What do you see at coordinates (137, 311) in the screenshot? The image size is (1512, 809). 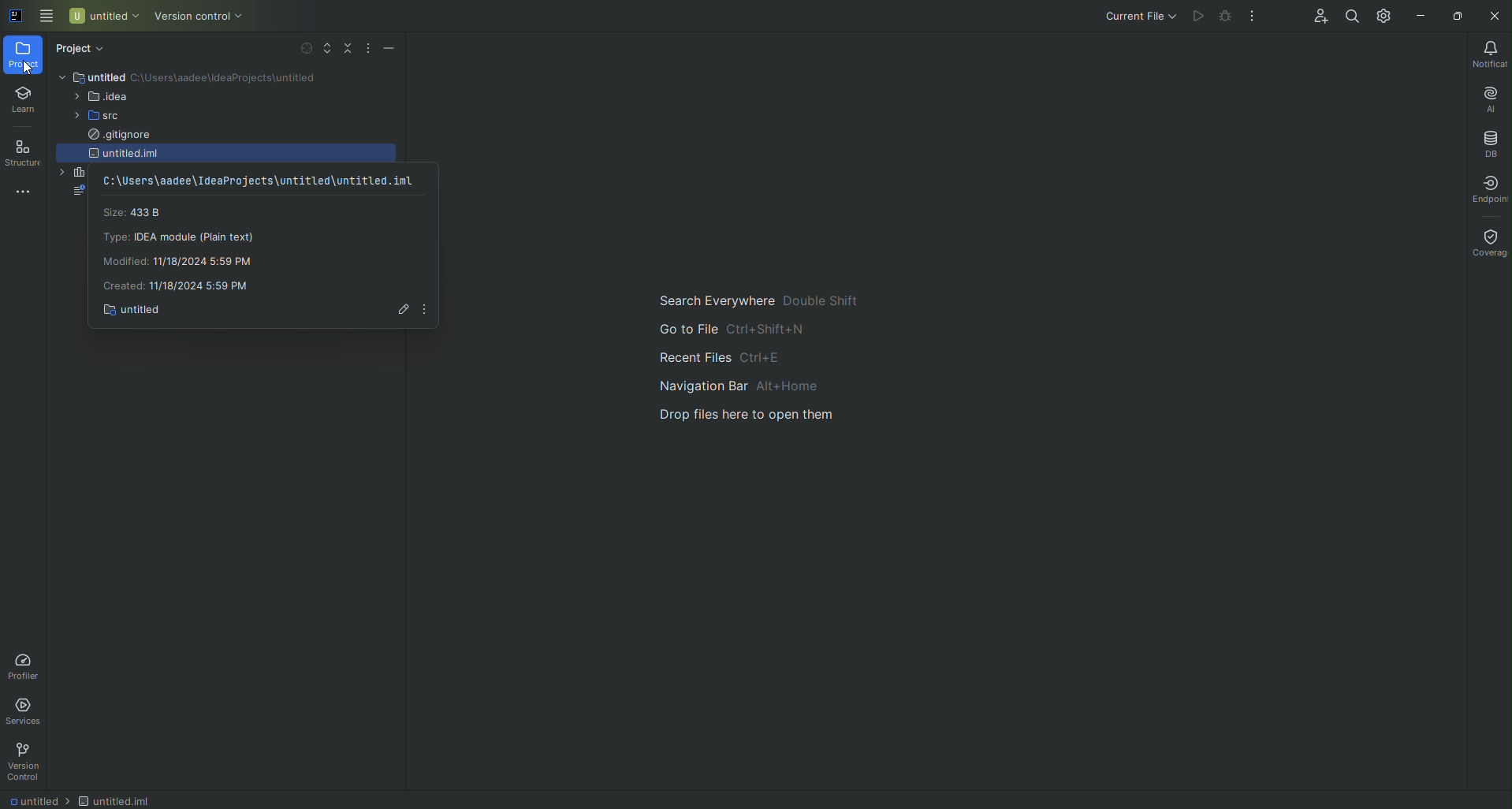 I see `Untitled` at bounding box center [137, 311].